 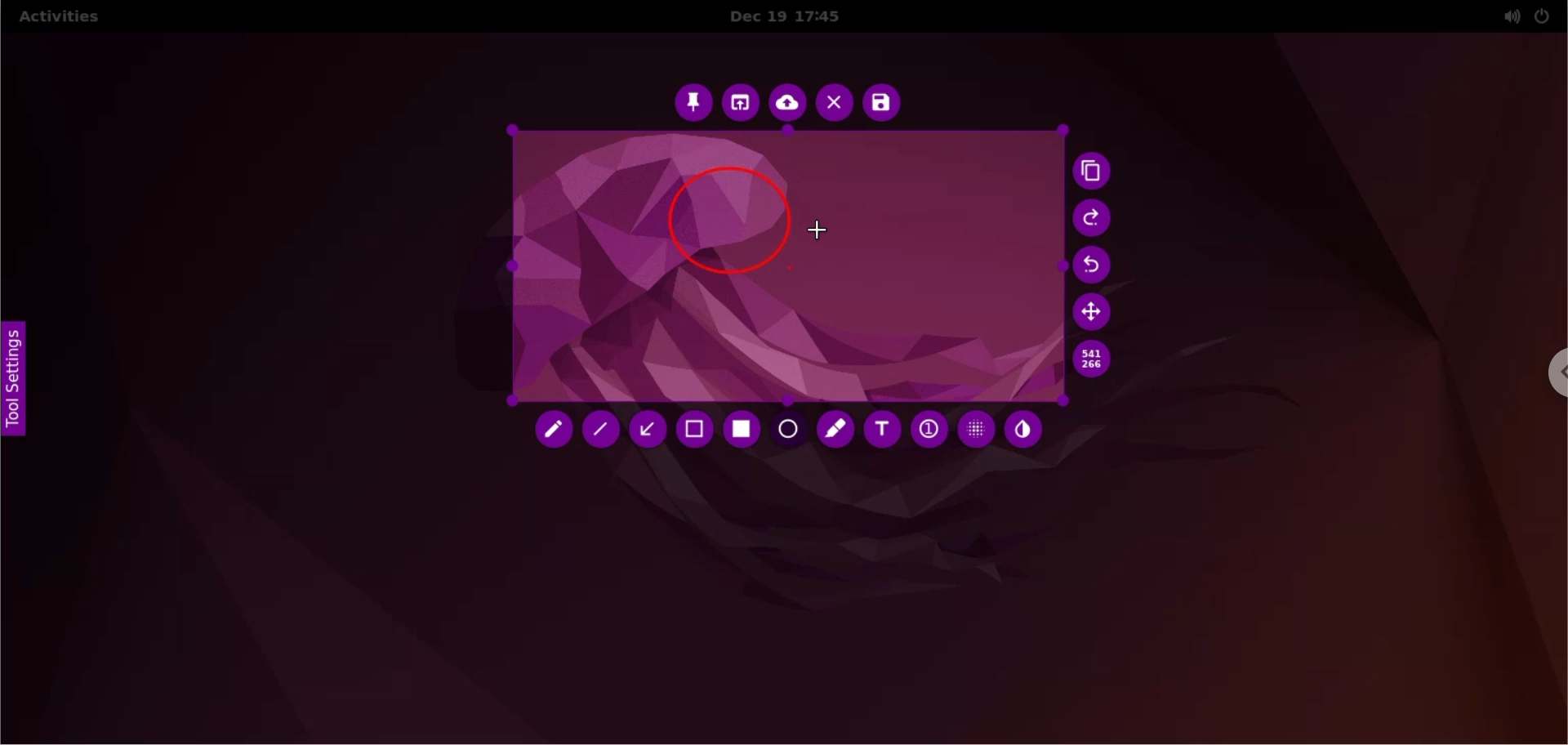 What do you see at coordinates (881, 430) in the screenshot?
I see `text tool` at bounding box center [881, 430].